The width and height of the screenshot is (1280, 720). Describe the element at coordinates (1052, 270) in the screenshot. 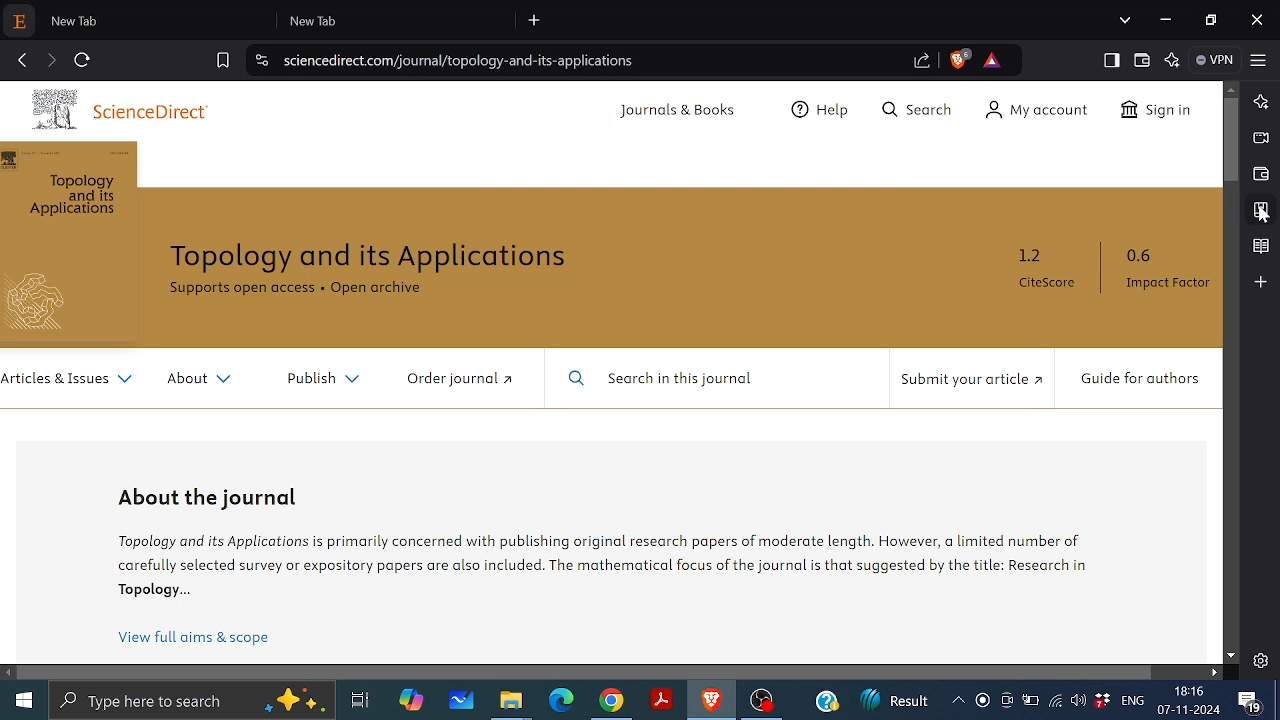

I see `1.2 CiteScore` at that location.